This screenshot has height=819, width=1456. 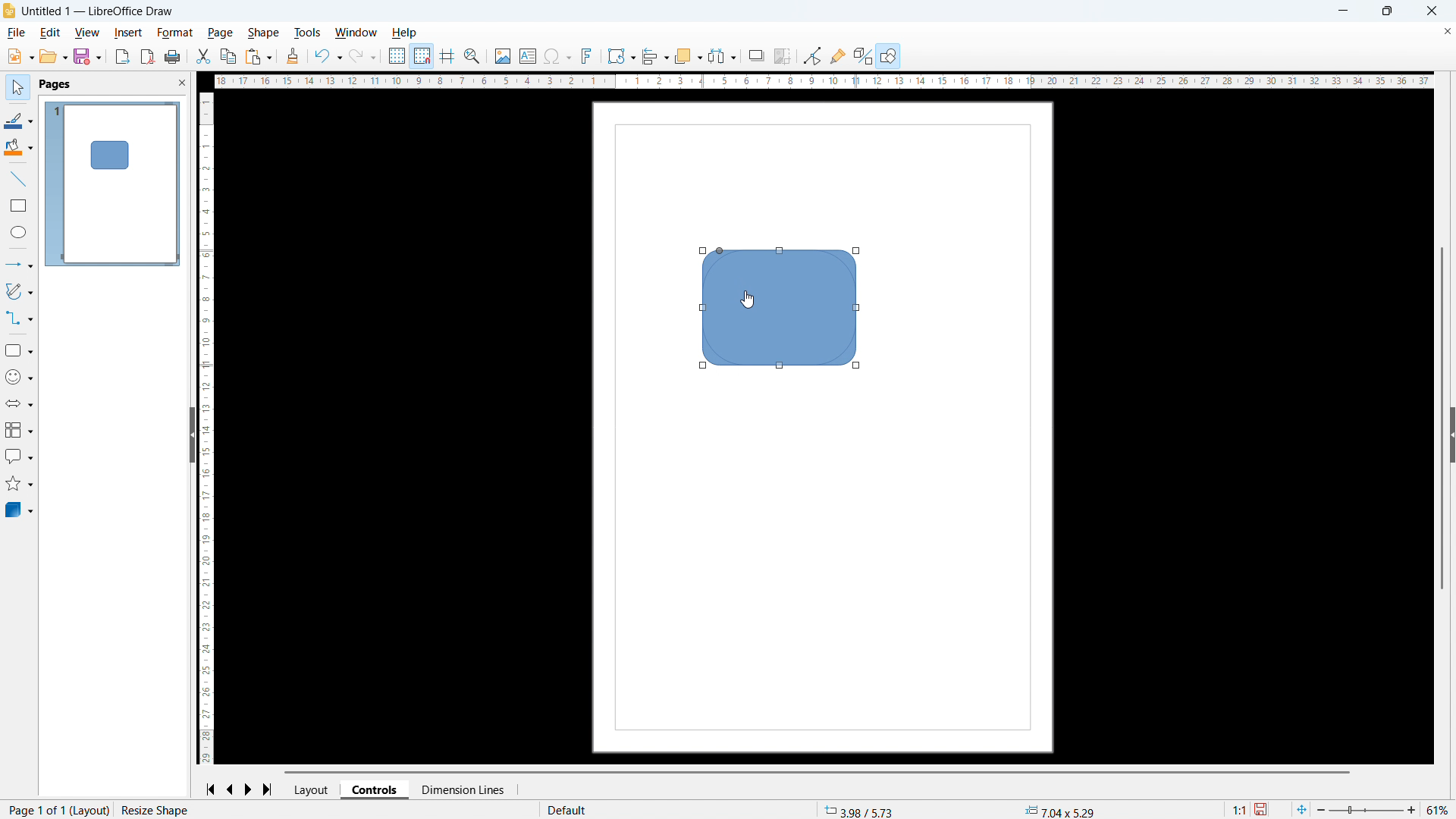 What do you see at coordinates (1344, 11) in the screenshot?
I see `minimise ` at bounding box center [1344, 11].